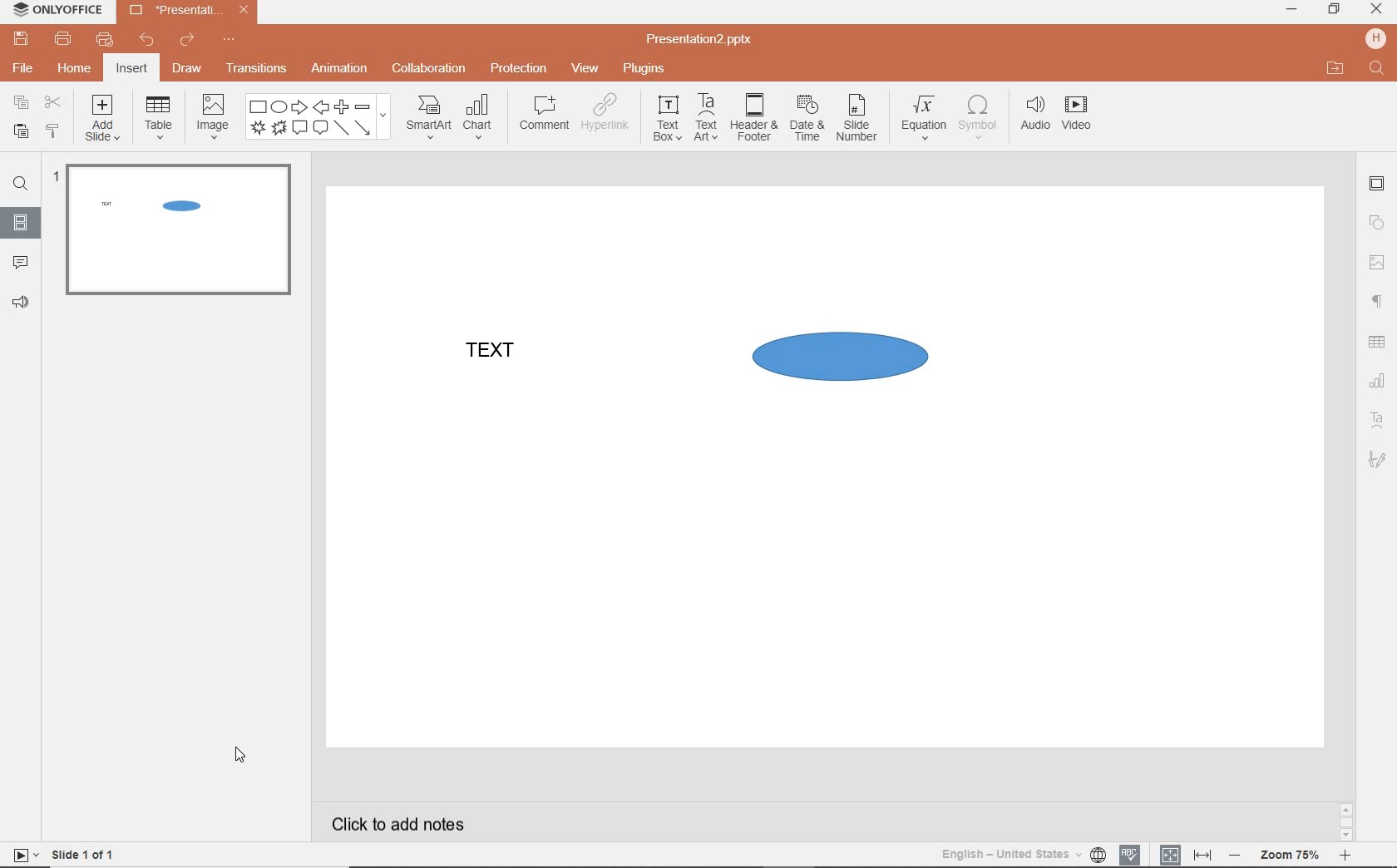  I want to click on SHAPE, so click(865, 362).